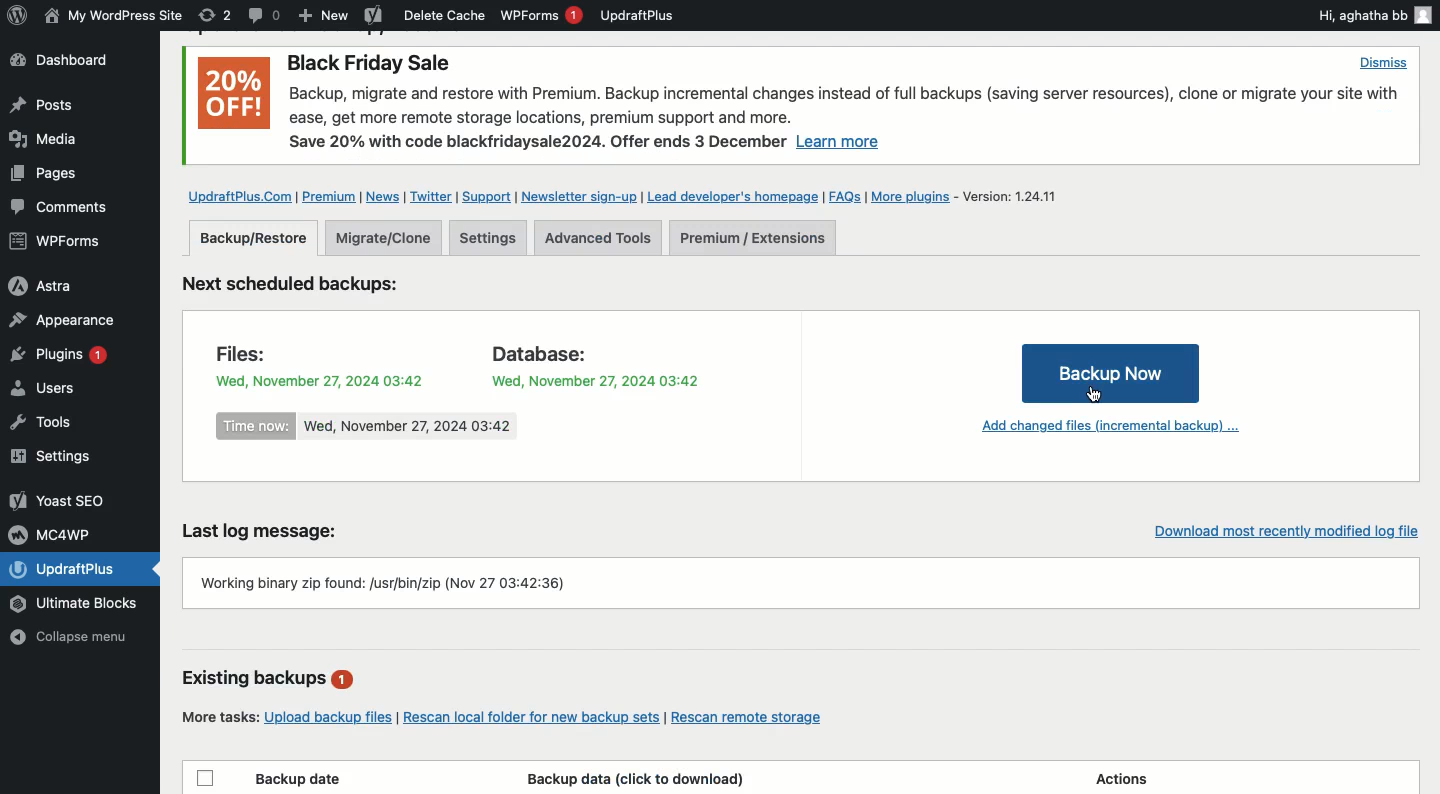 This screenshot has width=1440, height=794. What do you see at coordinates (270, 680) in the screenshot?
I see `Existing backups 1` at bounding box center [270, 680].